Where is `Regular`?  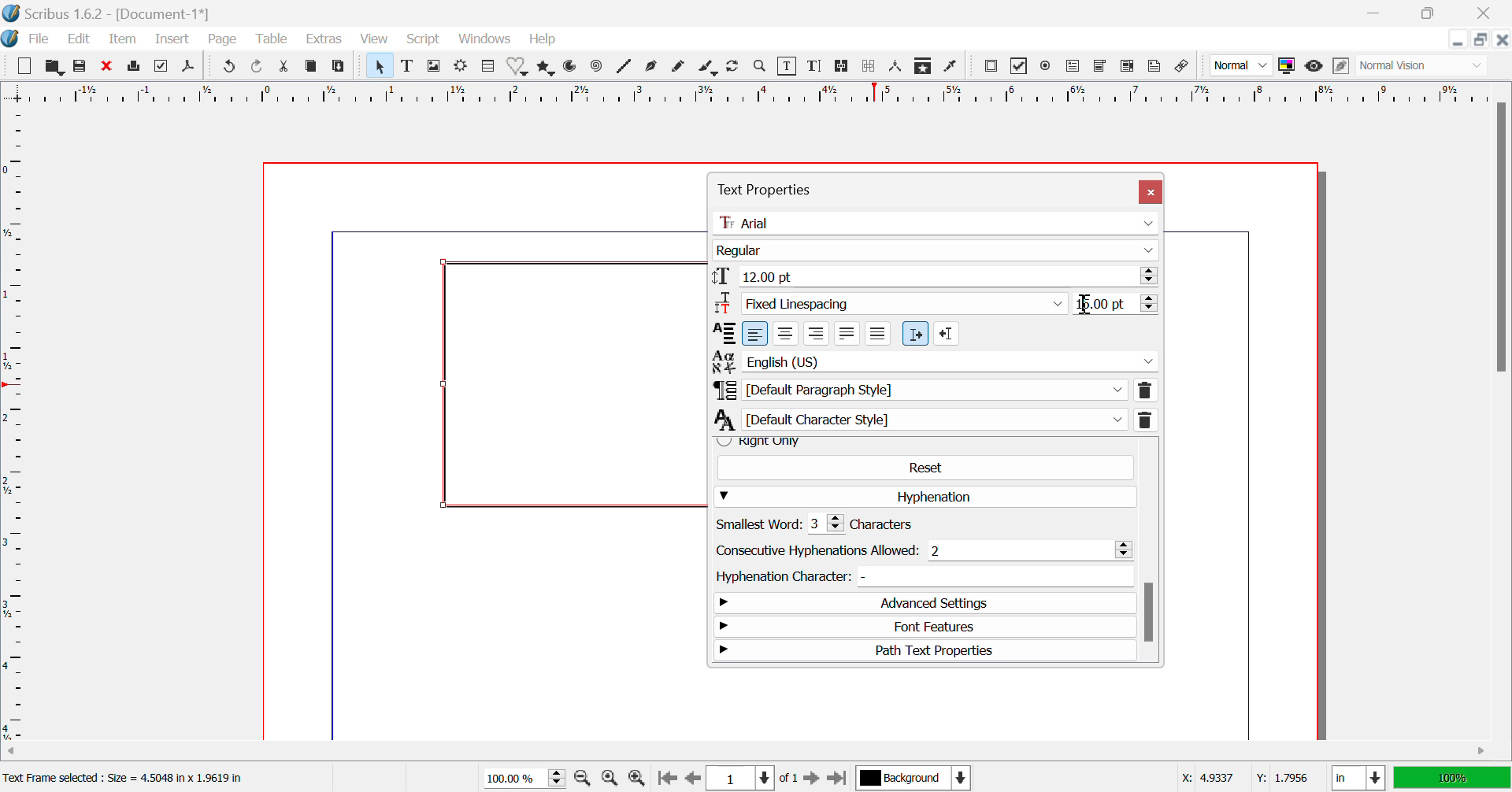 Regular is located at coordinates (936, 251).